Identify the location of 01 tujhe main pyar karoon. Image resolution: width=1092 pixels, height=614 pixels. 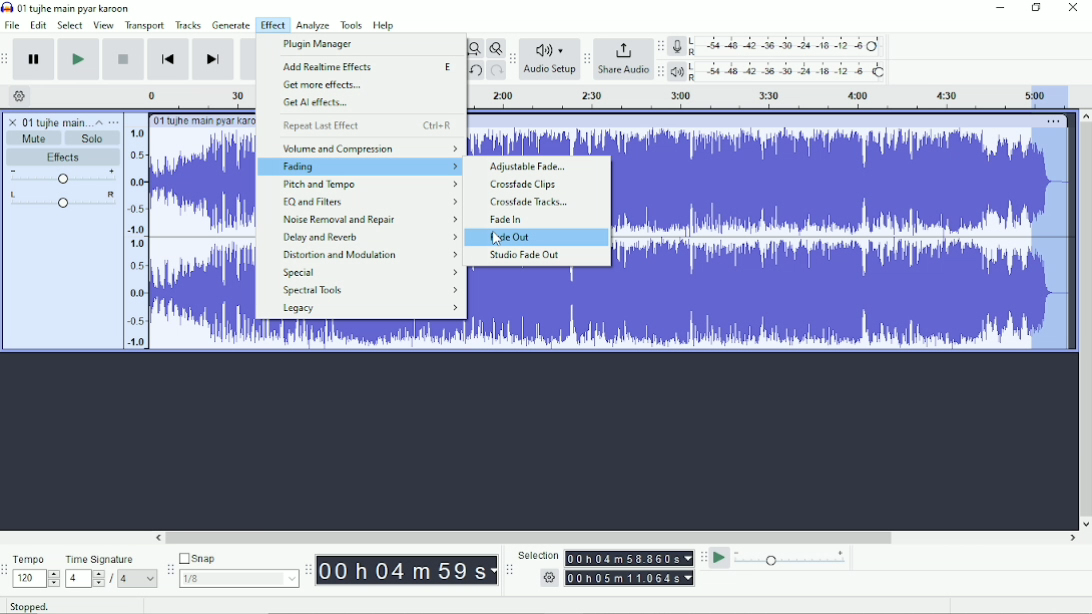
(76, 8).